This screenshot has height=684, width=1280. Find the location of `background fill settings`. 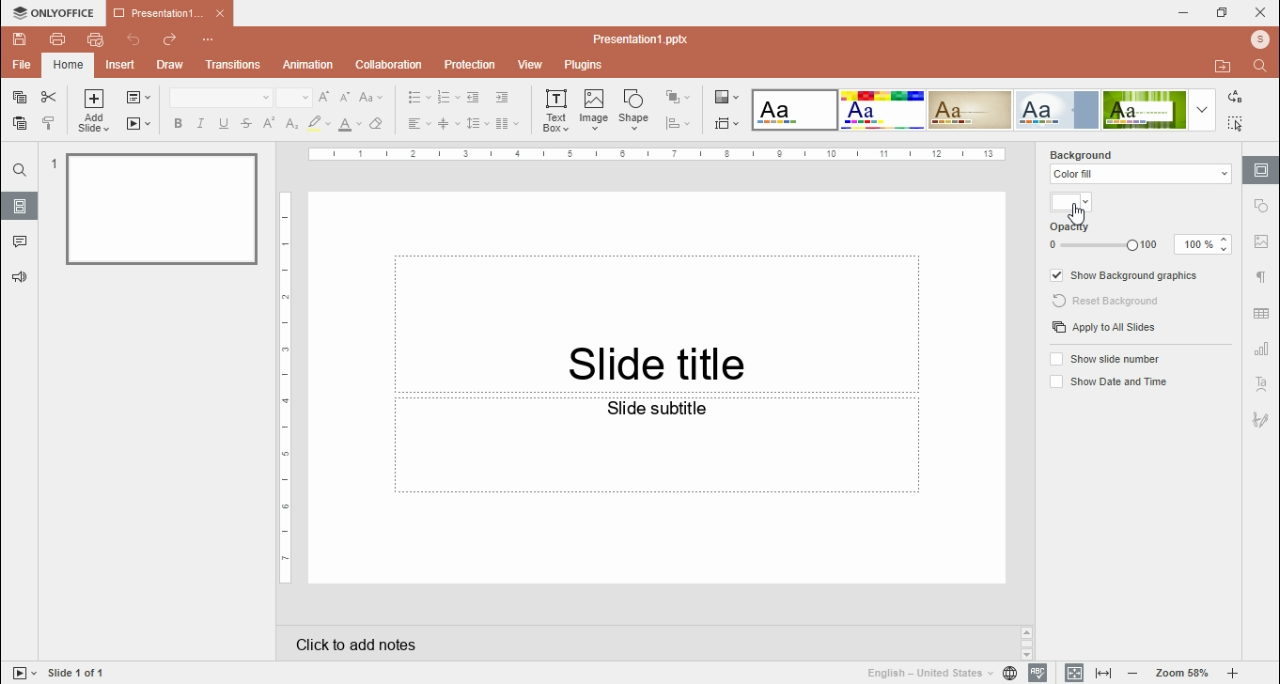

background fill settings is located at coordinates (1136, 174).